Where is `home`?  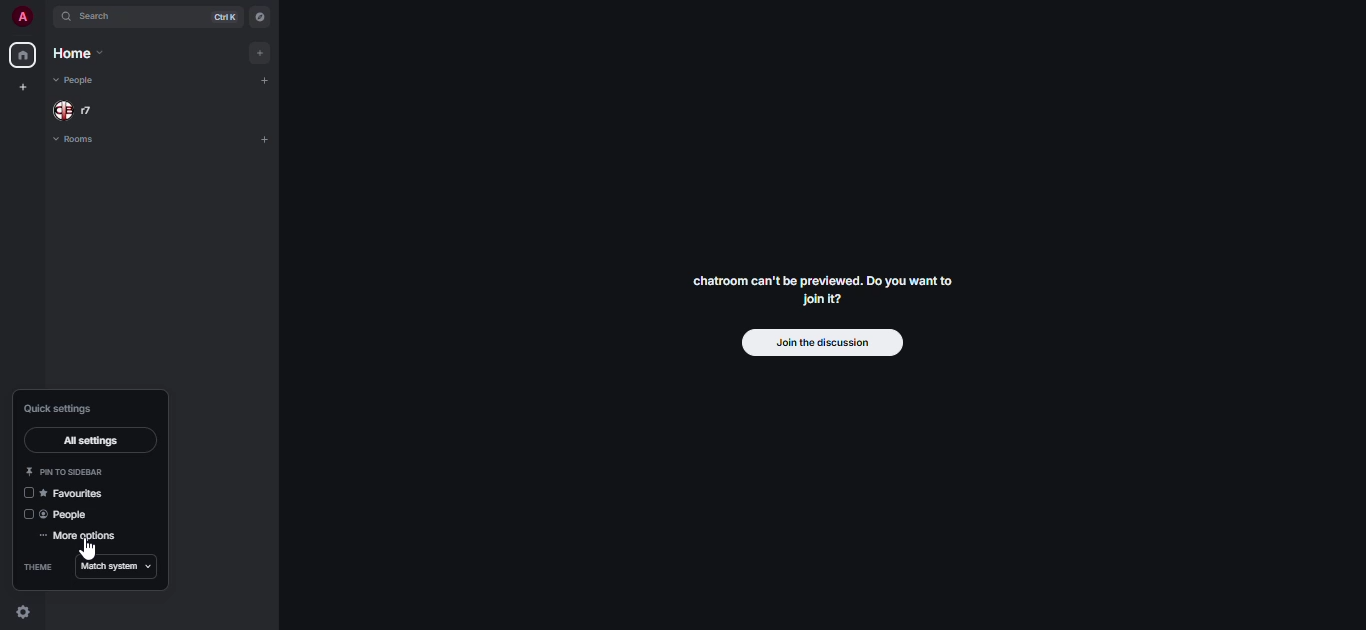 home is located at coordinates (84, 54).